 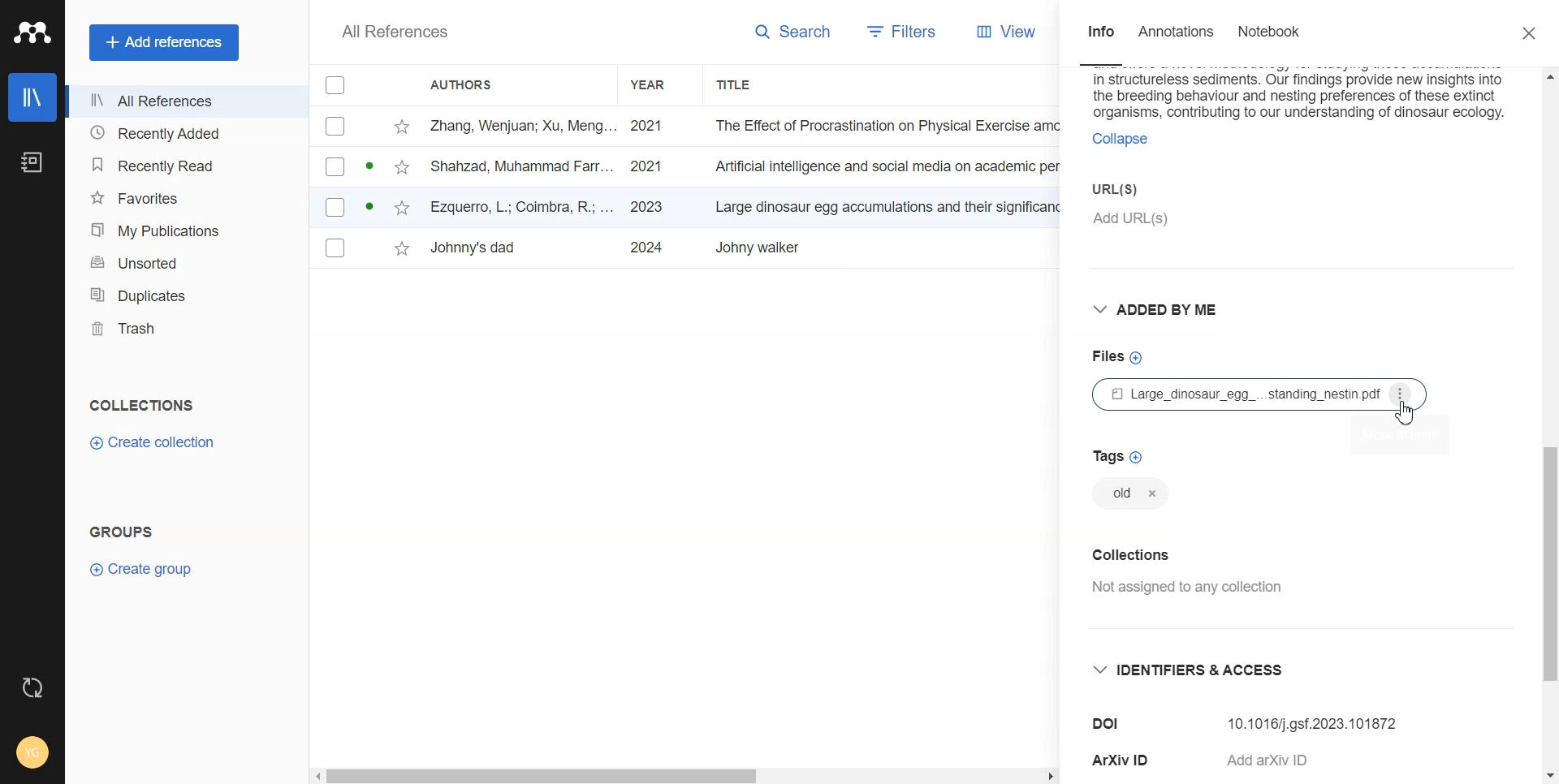 I want to click on Checklist, so click(x=332, y=84).